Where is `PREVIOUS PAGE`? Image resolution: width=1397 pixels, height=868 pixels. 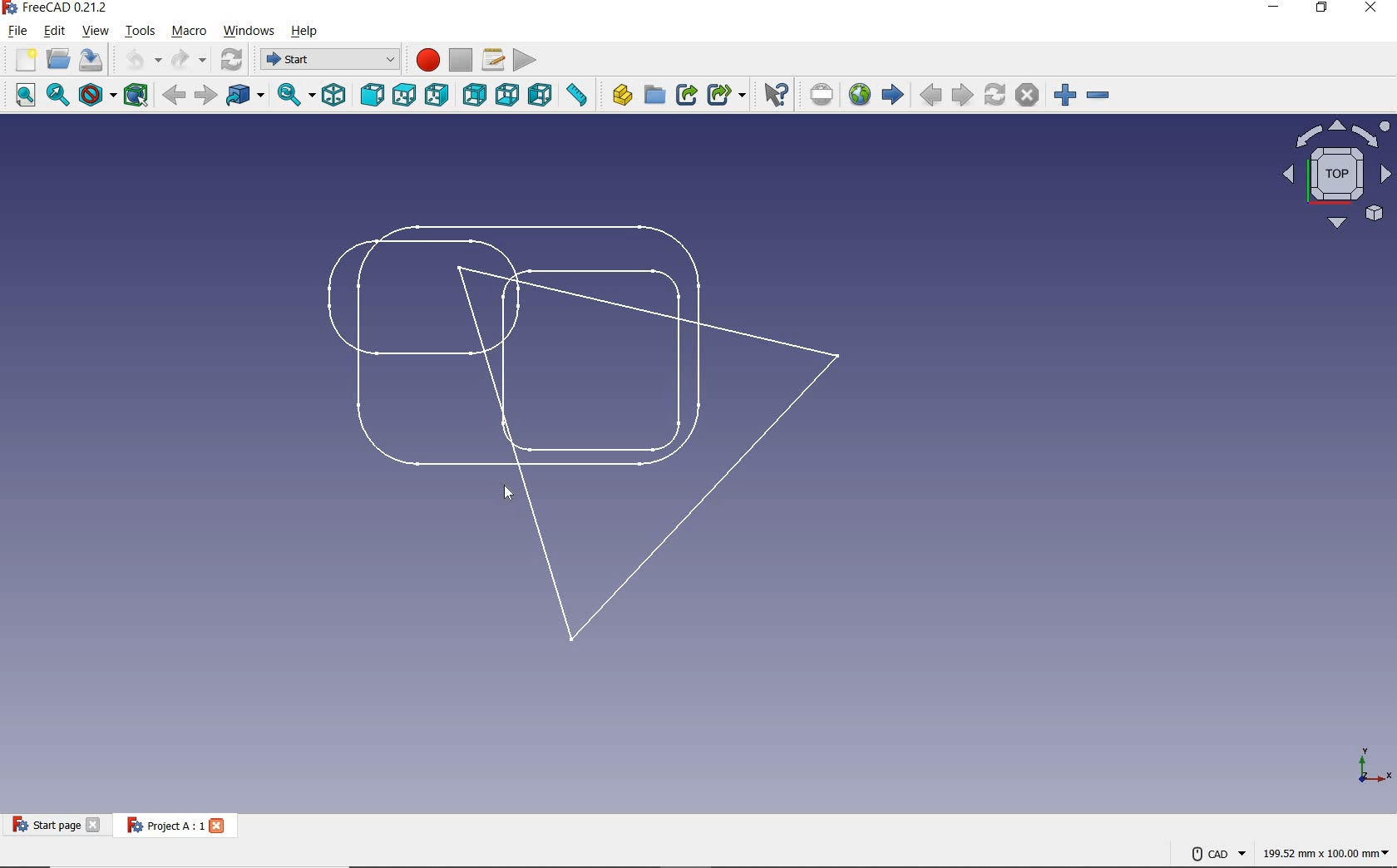 PREVIOUS PAGE is located at coordinates (931, 96).